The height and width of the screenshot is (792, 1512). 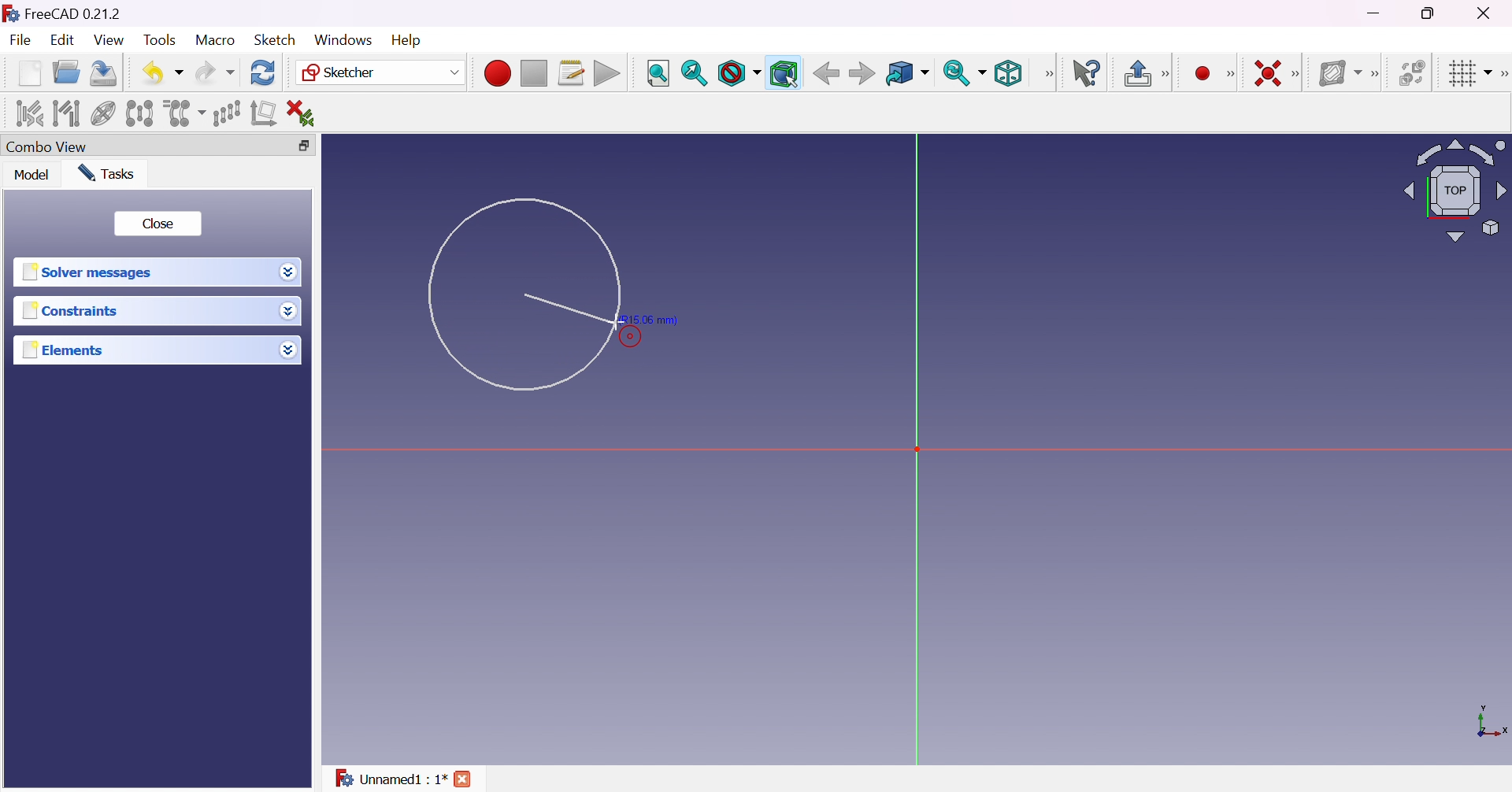 What do you see at coordinates (1203, 74) in the screenshot?
I see `Create point` at bounding box center [1203, 74].